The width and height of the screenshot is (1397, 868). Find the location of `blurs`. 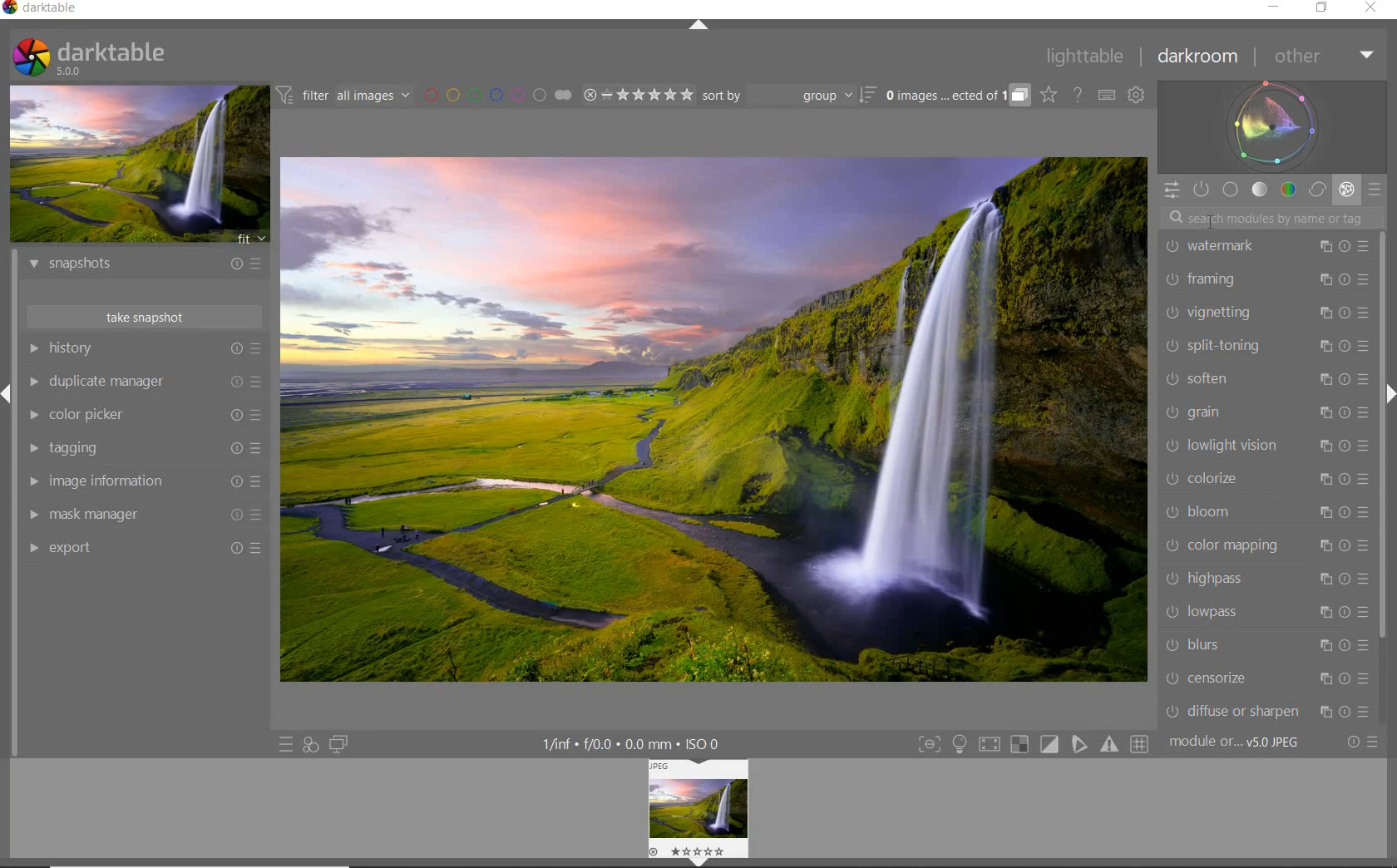

blurs is located at coordinates (1265, 646).